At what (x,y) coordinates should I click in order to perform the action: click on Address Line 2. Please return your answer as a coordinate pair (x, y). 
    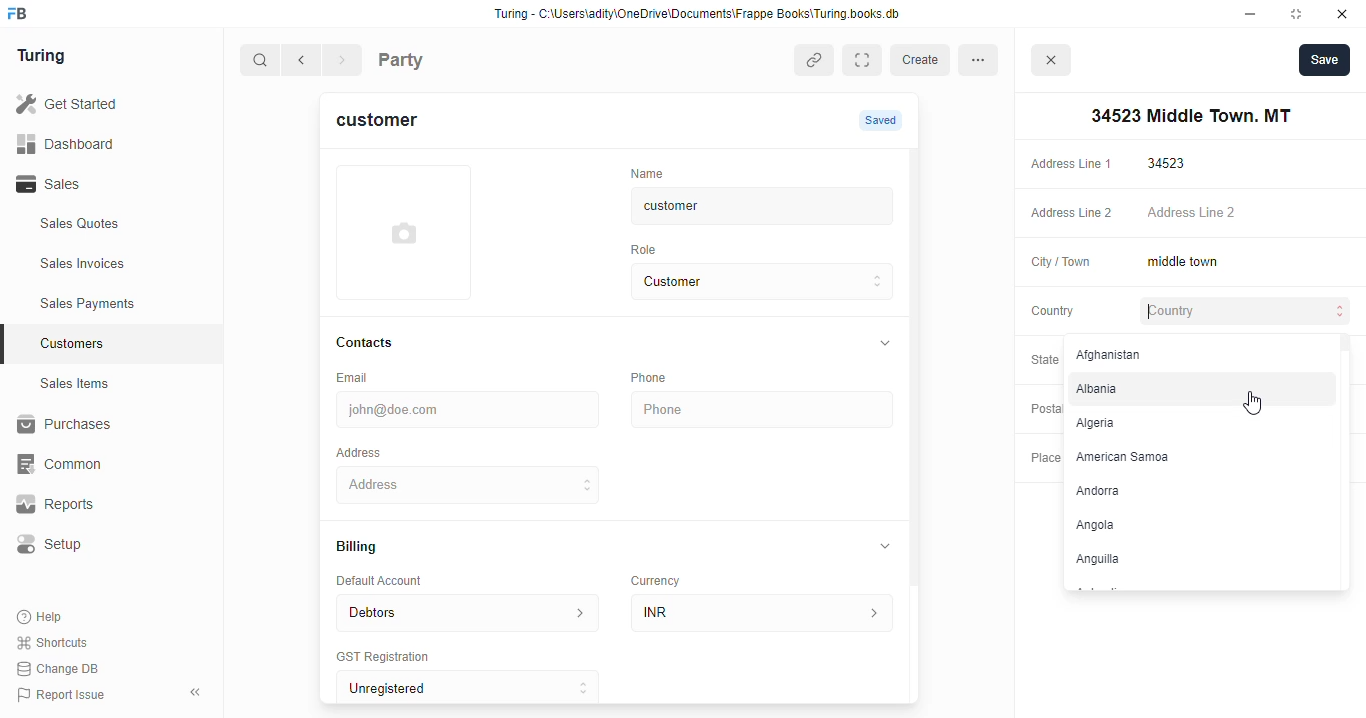
    Looking at the image, I should click on (1067, 214).